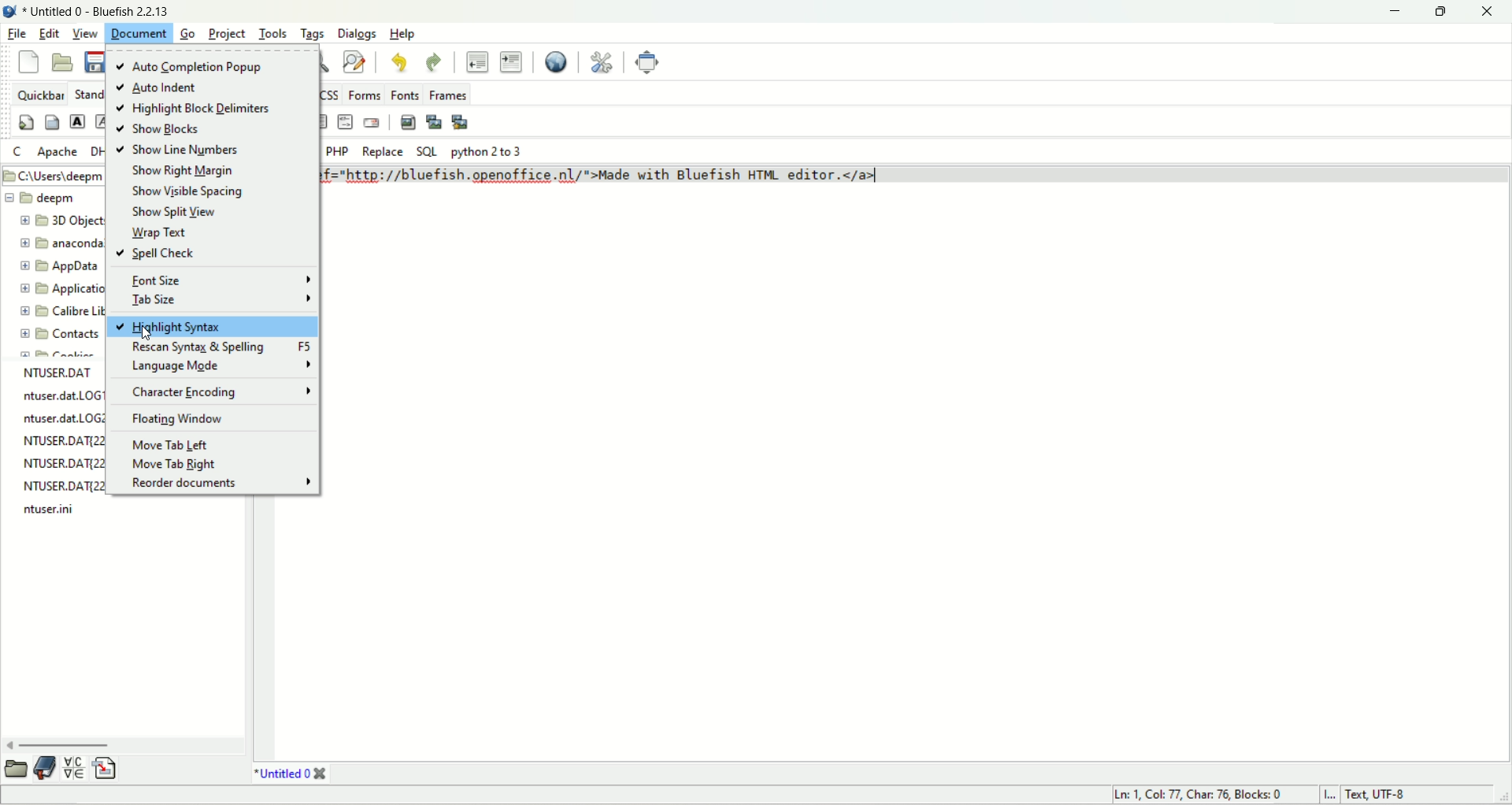  What do you see at coordinates (58, 268) in the screenshot?
I see `app data` at bounding box center [58, 268].